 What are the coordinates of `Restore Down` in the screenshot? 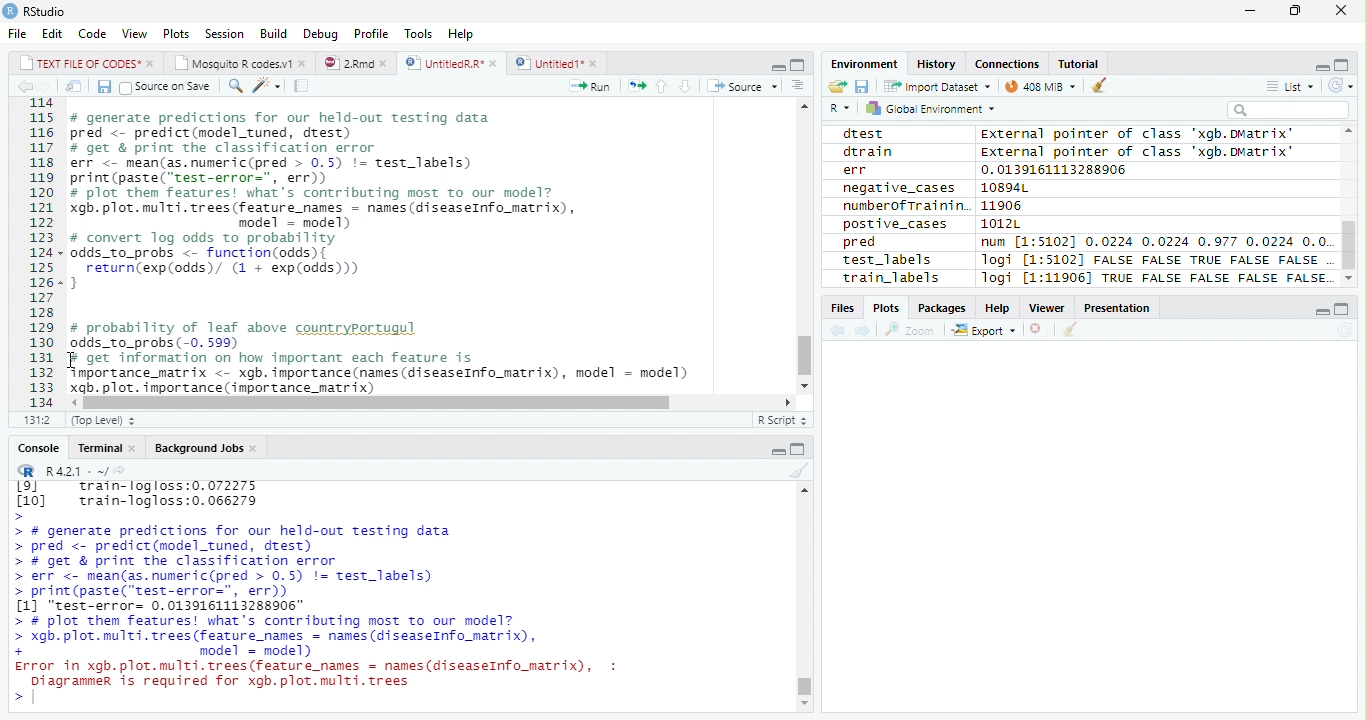 It's located at (1294, 11).